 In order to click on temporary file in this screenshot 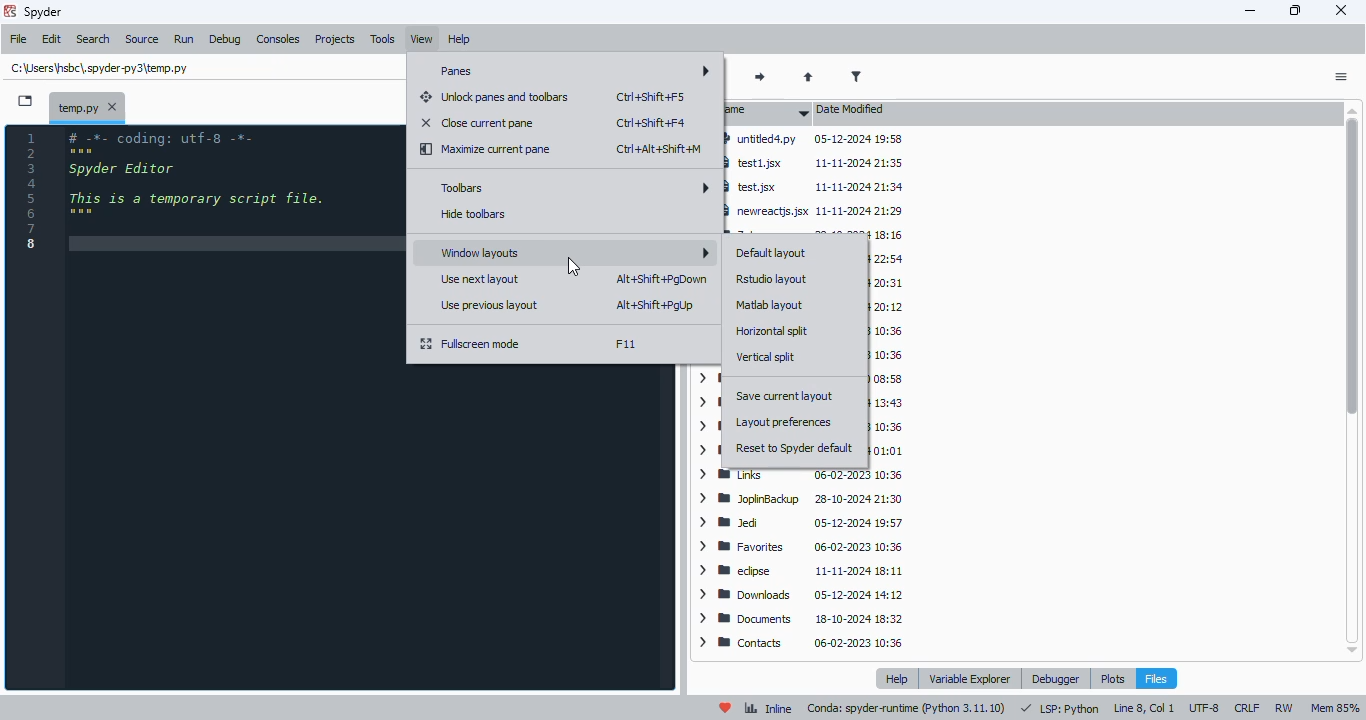, I will do `click(98, 68)`.